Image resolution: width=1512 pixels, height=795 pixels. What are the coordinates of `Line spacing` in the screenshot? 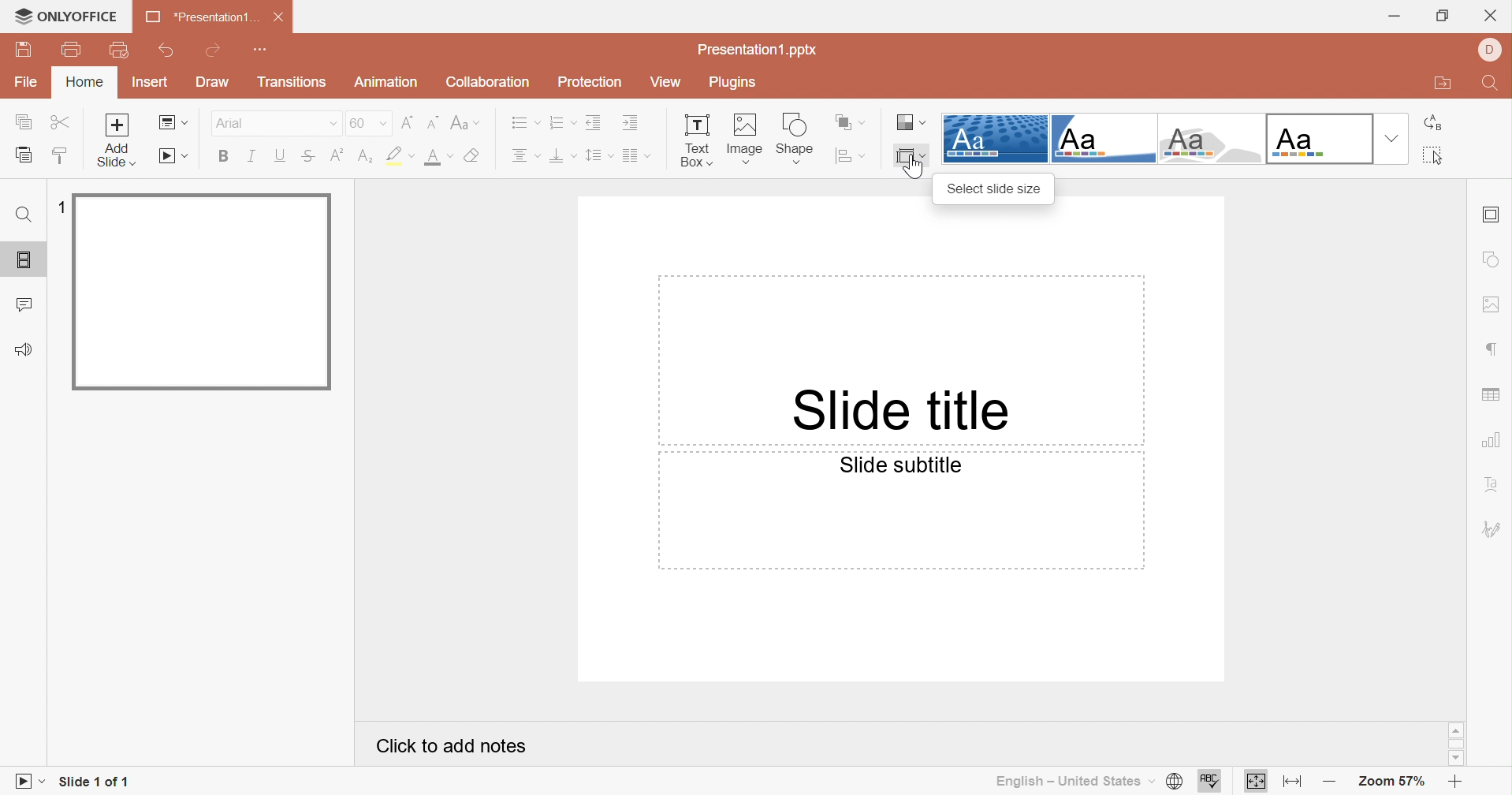 It's located at (598, 156).